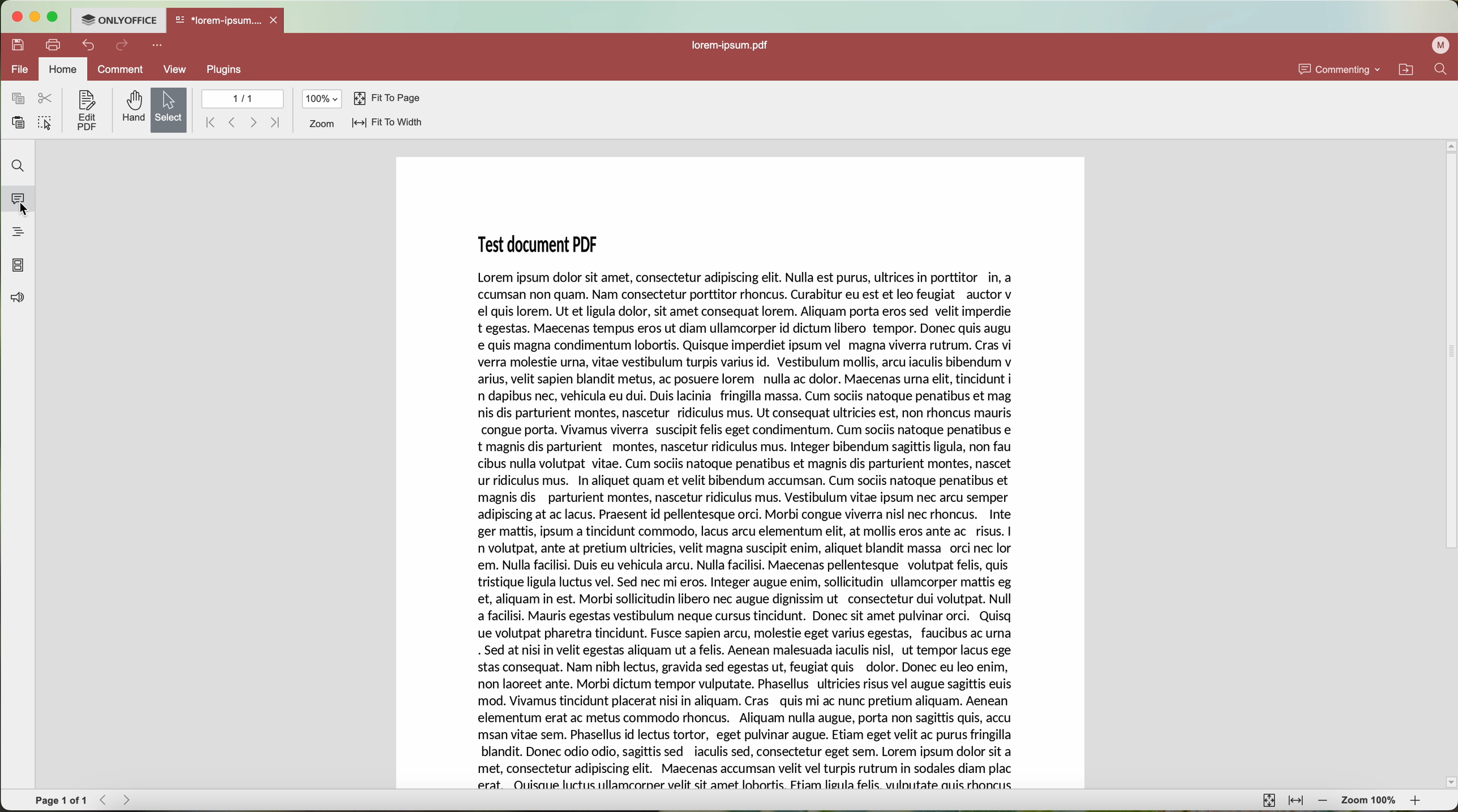  Describe the element at coordinates (741, 472) in the screenshot. I see `test document PDF` at that location.